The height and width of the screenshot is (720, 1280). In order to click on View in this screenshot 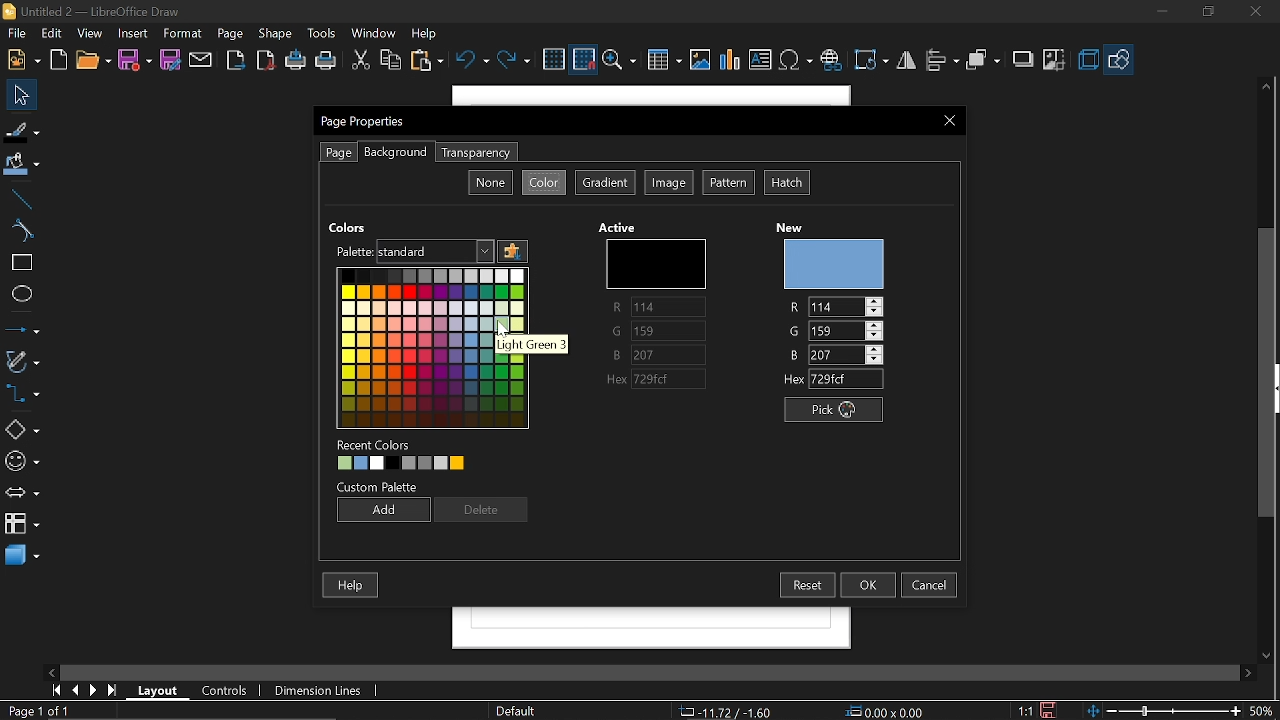, I will do `click(89, 35)`.